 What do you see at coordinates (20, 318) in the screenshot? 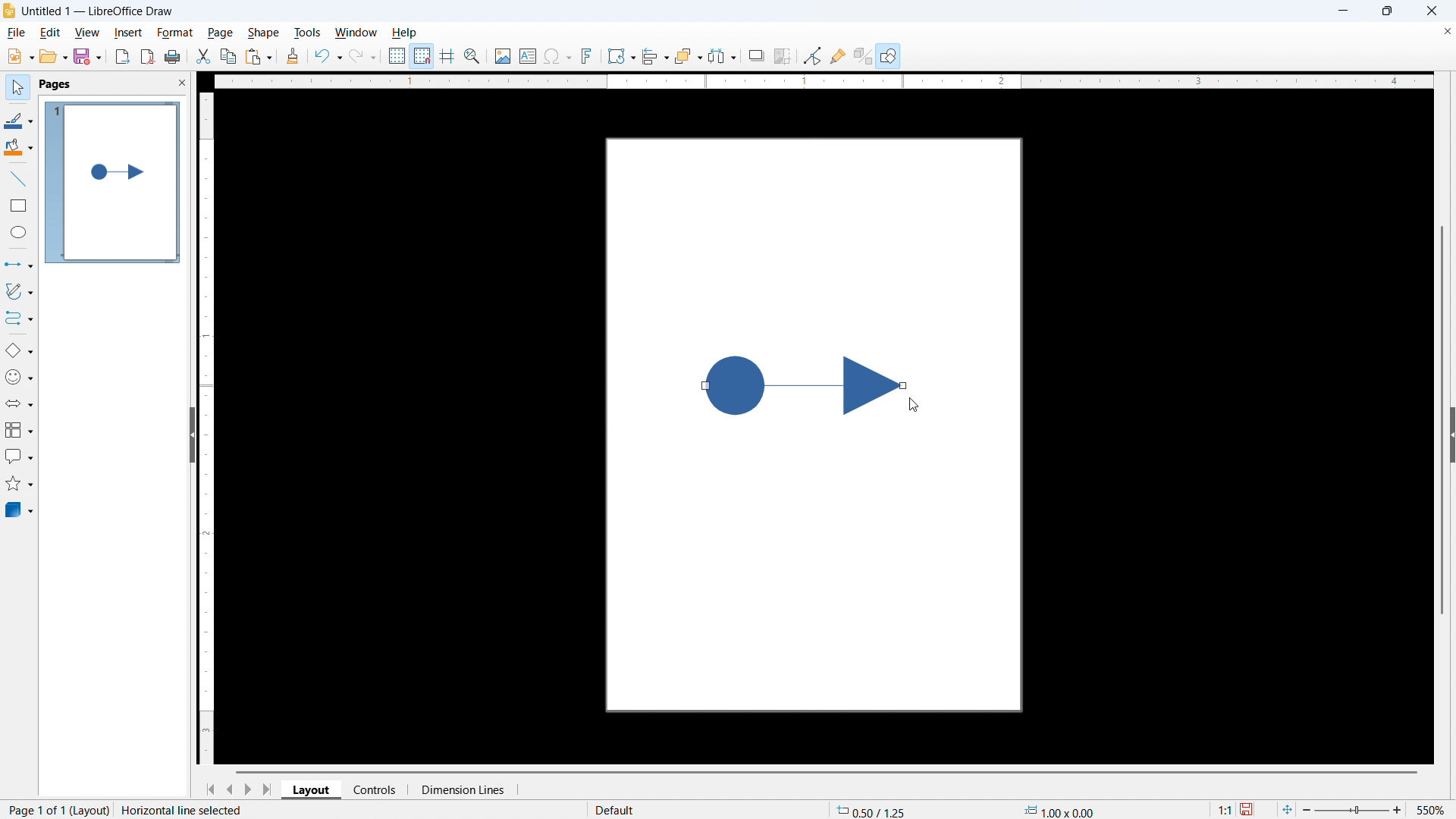
I see `Connectors ` at bounding box center [20, 318].